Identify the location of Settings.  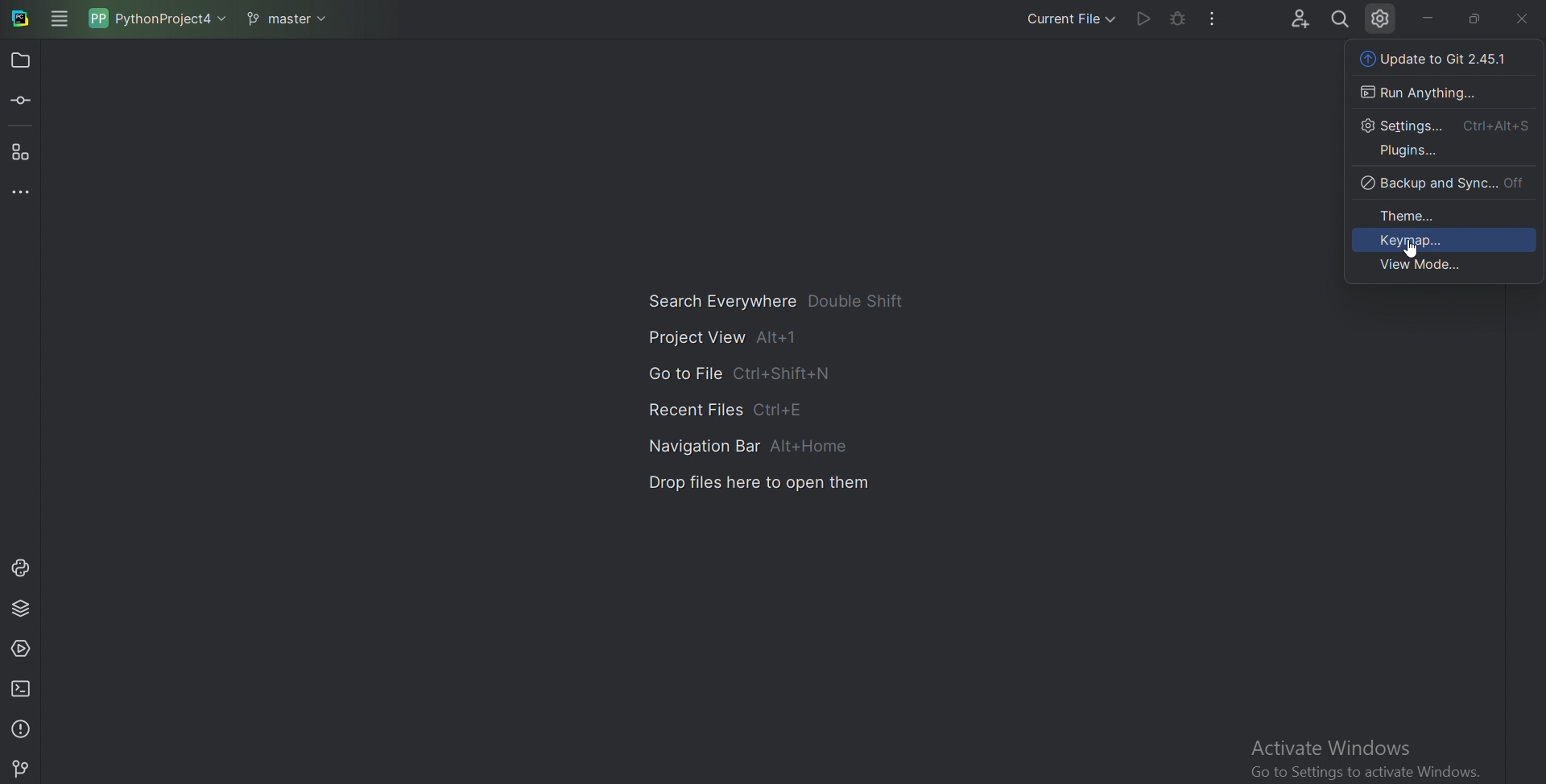
(1383, 18).